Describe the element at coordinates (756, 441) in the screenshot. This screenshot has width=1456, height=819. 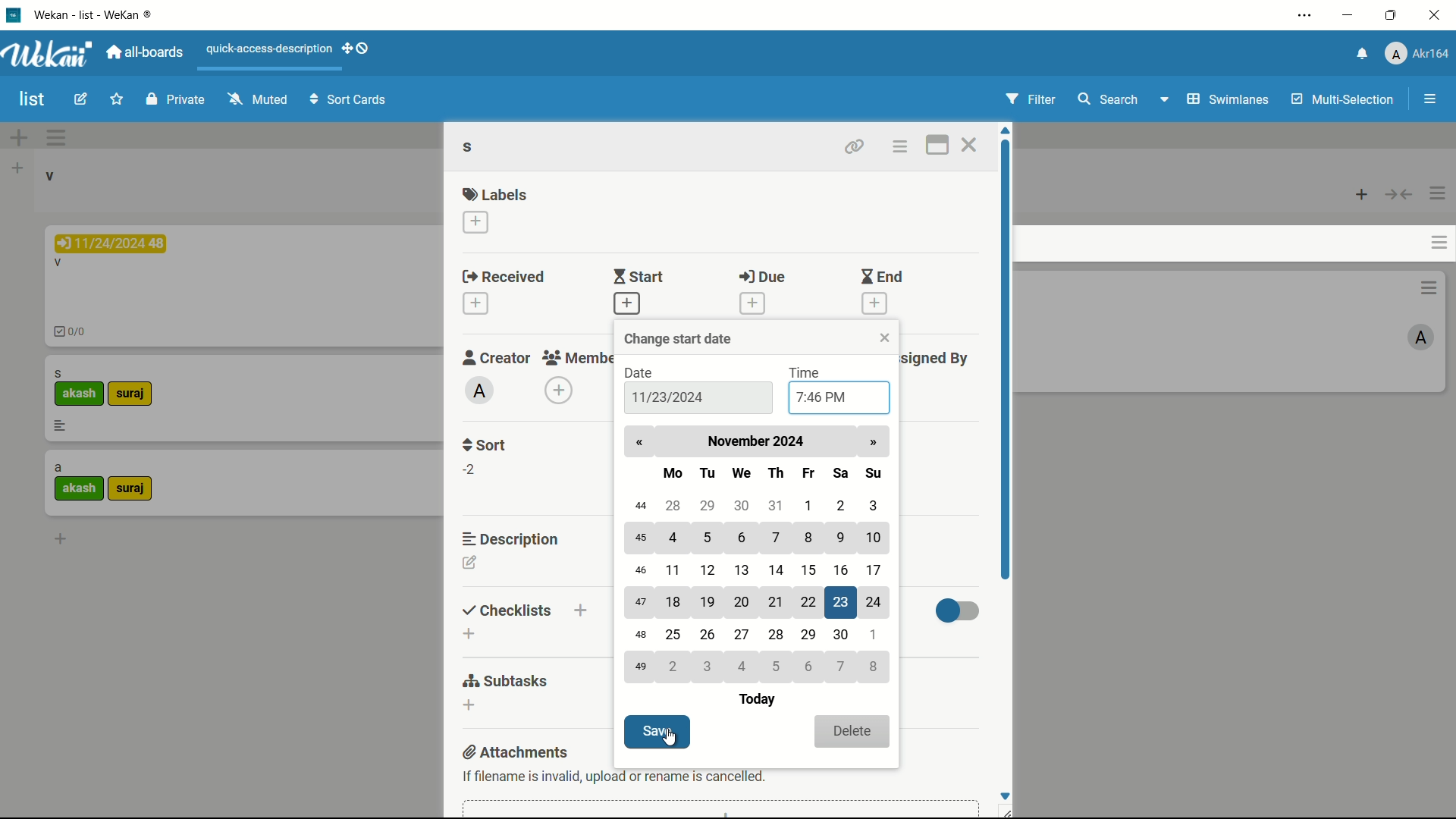
I see `month and year` at that location.